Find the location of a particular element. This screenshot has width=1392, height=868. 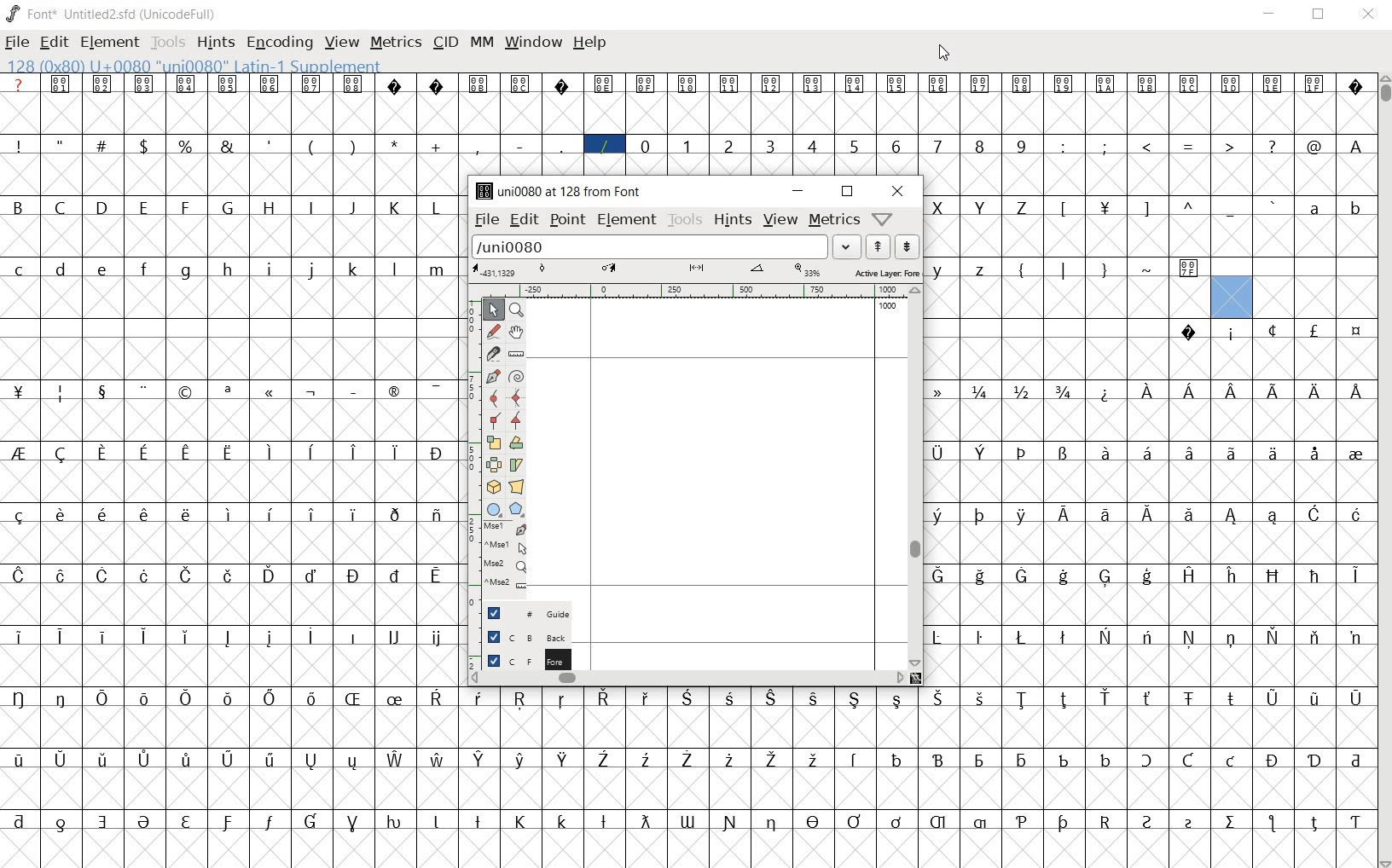

glyph is located at coordinates (1273, 84).